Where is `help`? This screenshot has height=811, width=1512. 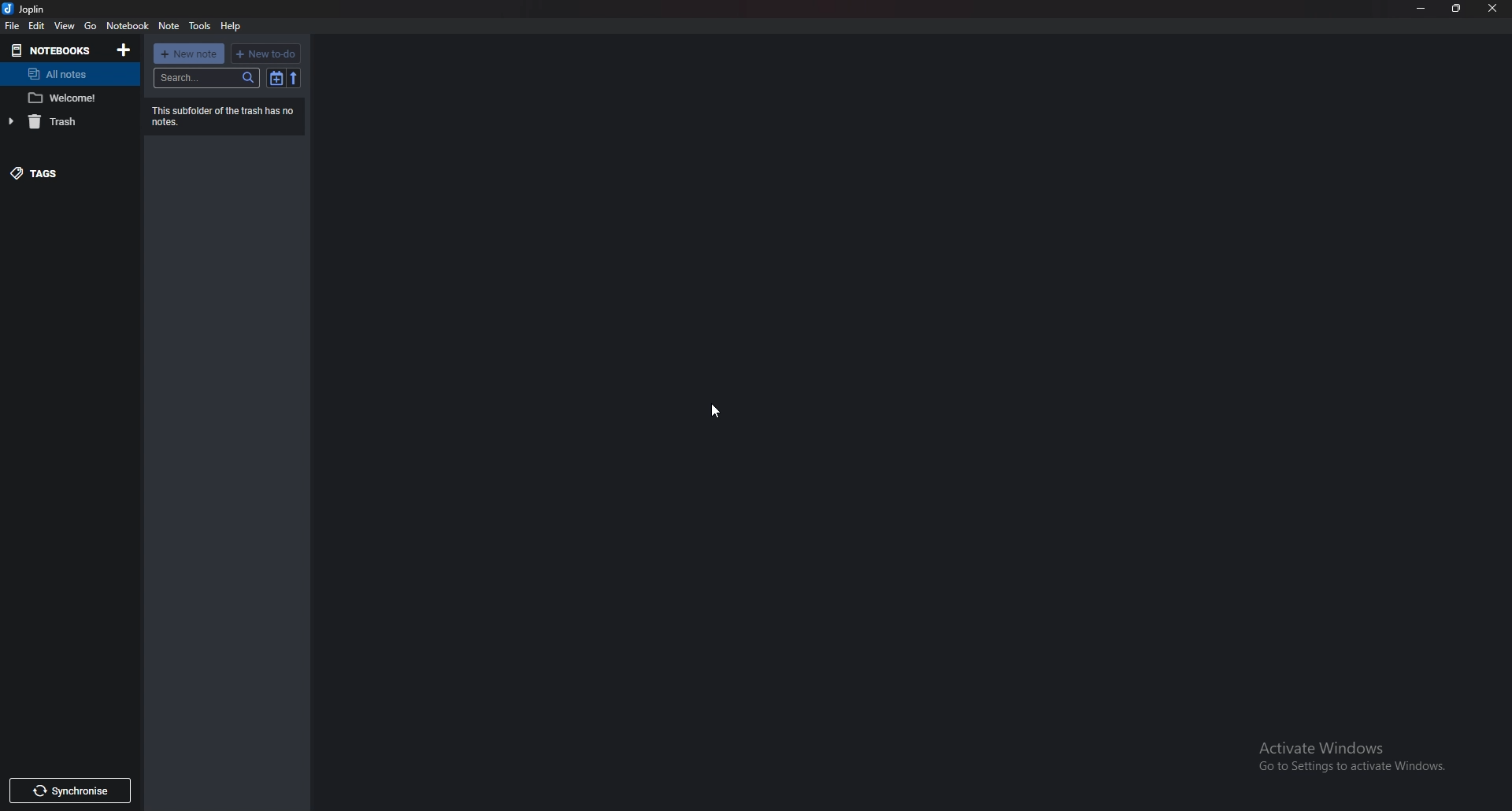
help is located at coordinates (232, 27).